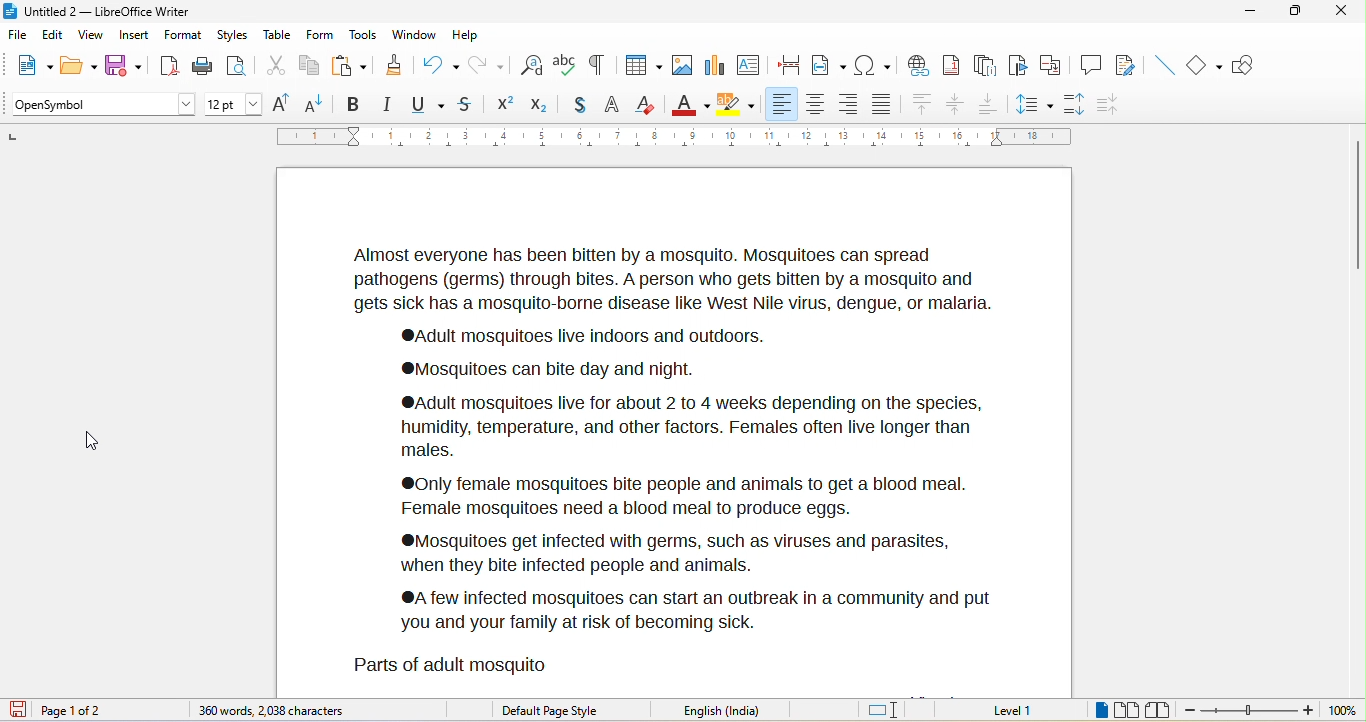 The image size is (1366, 722). Describe the element at coordinates (485, 64) in the screenshot. I see `redo` at that location.